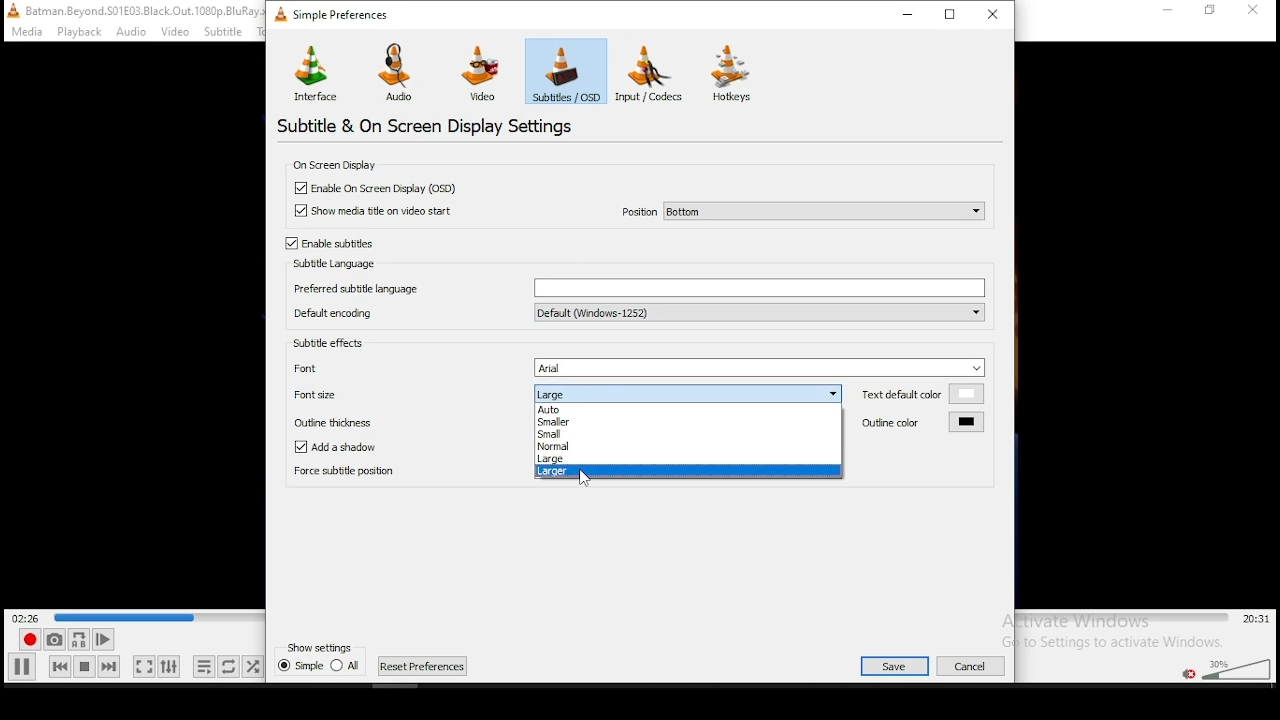 This screenshot has width=1280, height=720. What do you see at coordinates (332, 164) in the screenshot?
I see `on screen display` at bounding box center [332, 164].